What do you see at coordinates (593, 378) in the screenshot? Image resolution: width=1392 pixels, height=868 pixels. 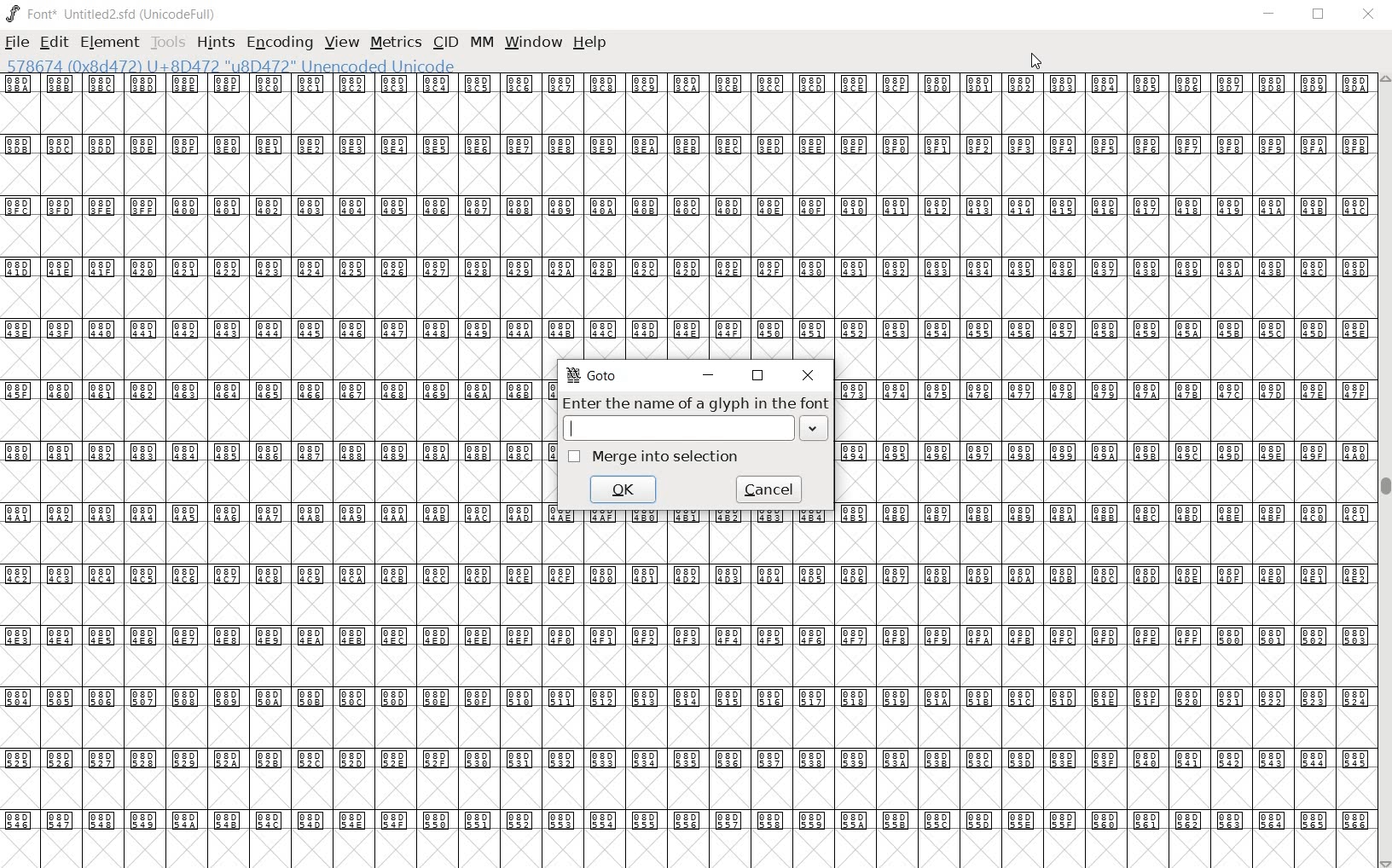 I see `GoTo` at bounding box center [593, 378].